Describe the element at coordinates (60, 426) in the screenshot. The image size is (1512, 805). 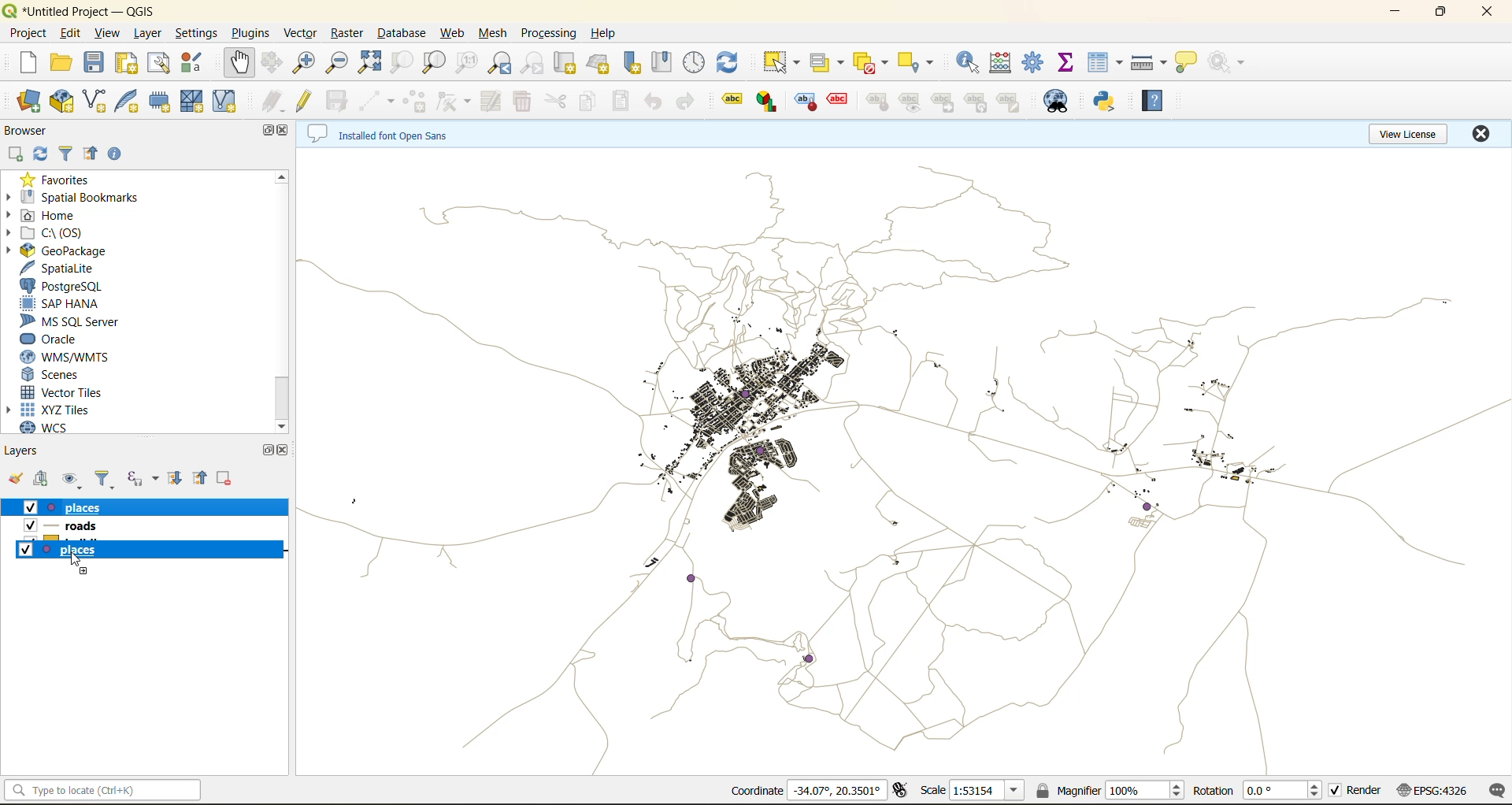
I see `wcs` at that location.